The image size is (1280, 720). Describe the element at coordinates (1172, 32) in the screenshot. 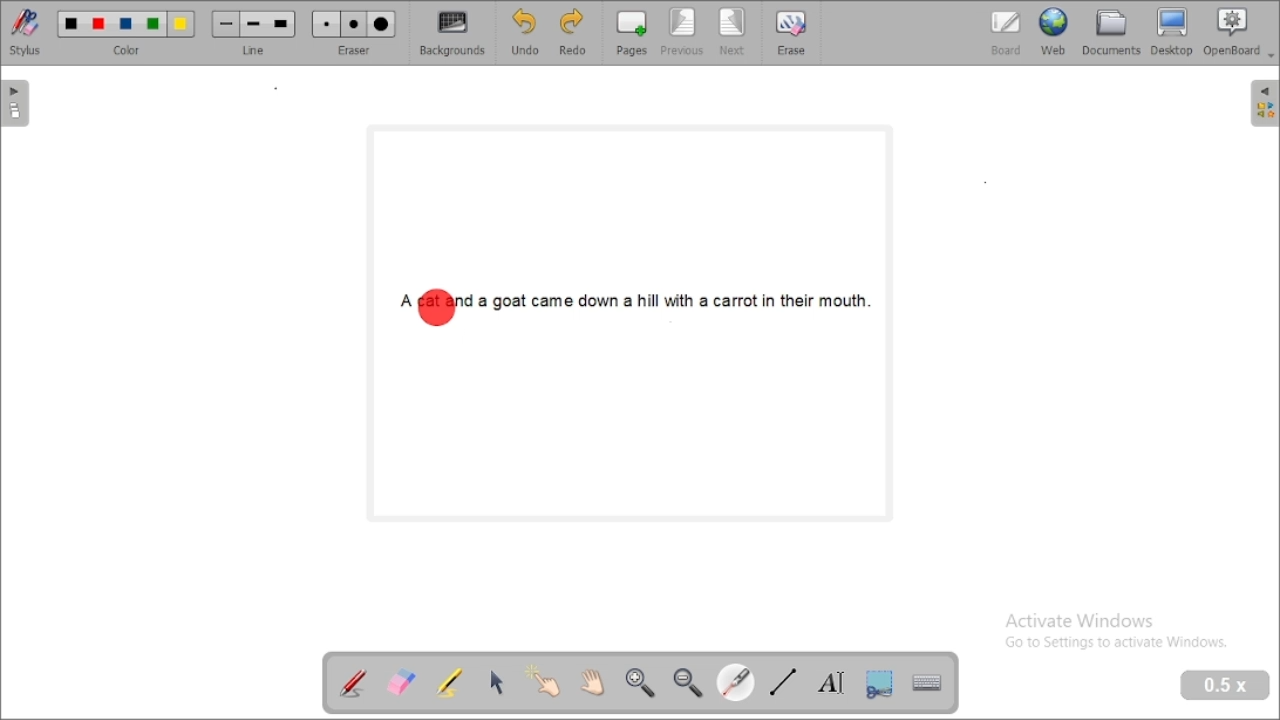

I see `desktop` at that location.